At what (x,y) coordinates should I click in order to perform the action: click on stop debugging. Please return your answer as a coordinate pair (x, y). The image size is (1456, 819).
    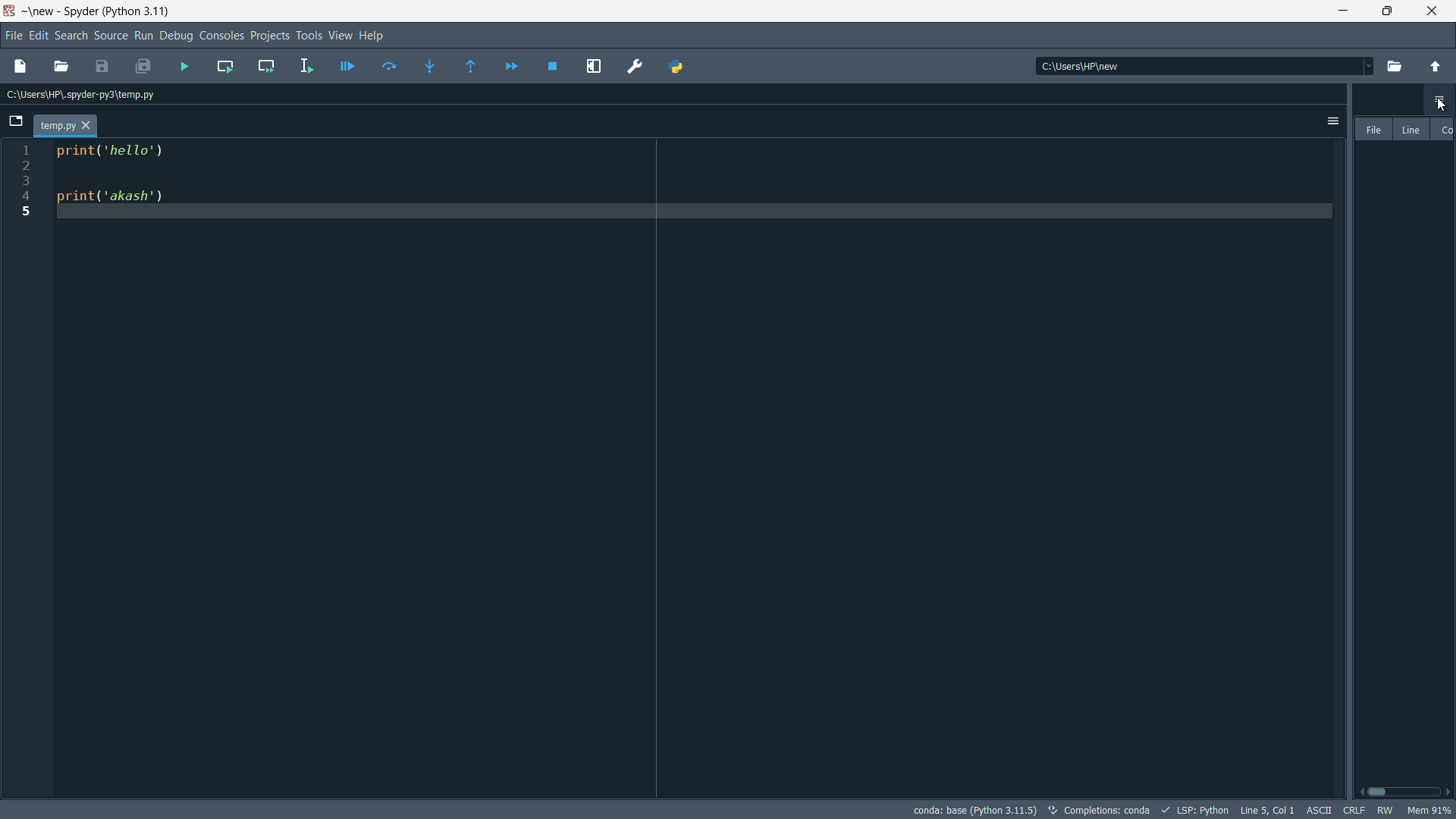
    Looking at the image, I should click on (551, 65).